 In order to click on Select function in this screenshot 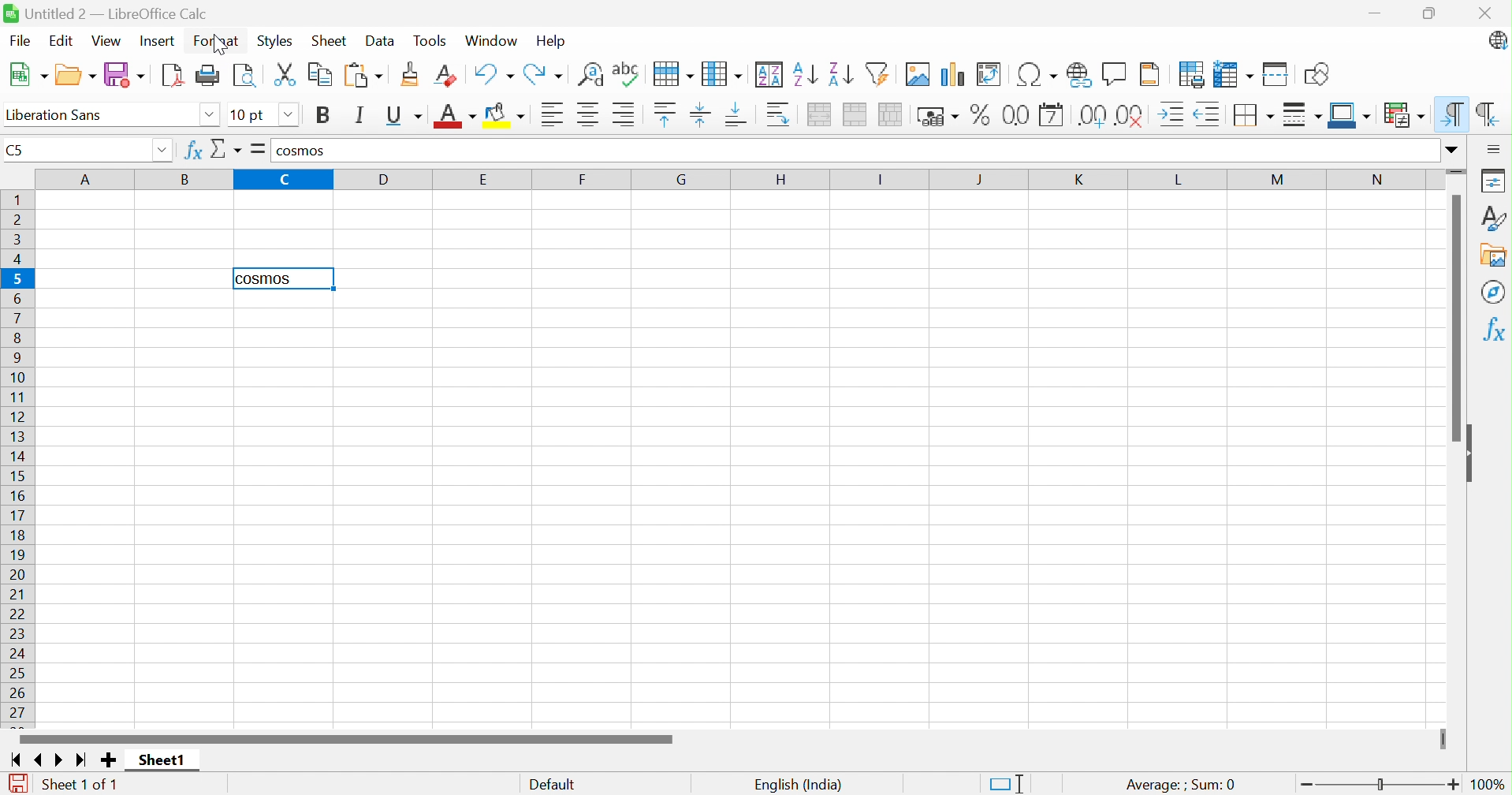, I will do `click(226, 148)`.